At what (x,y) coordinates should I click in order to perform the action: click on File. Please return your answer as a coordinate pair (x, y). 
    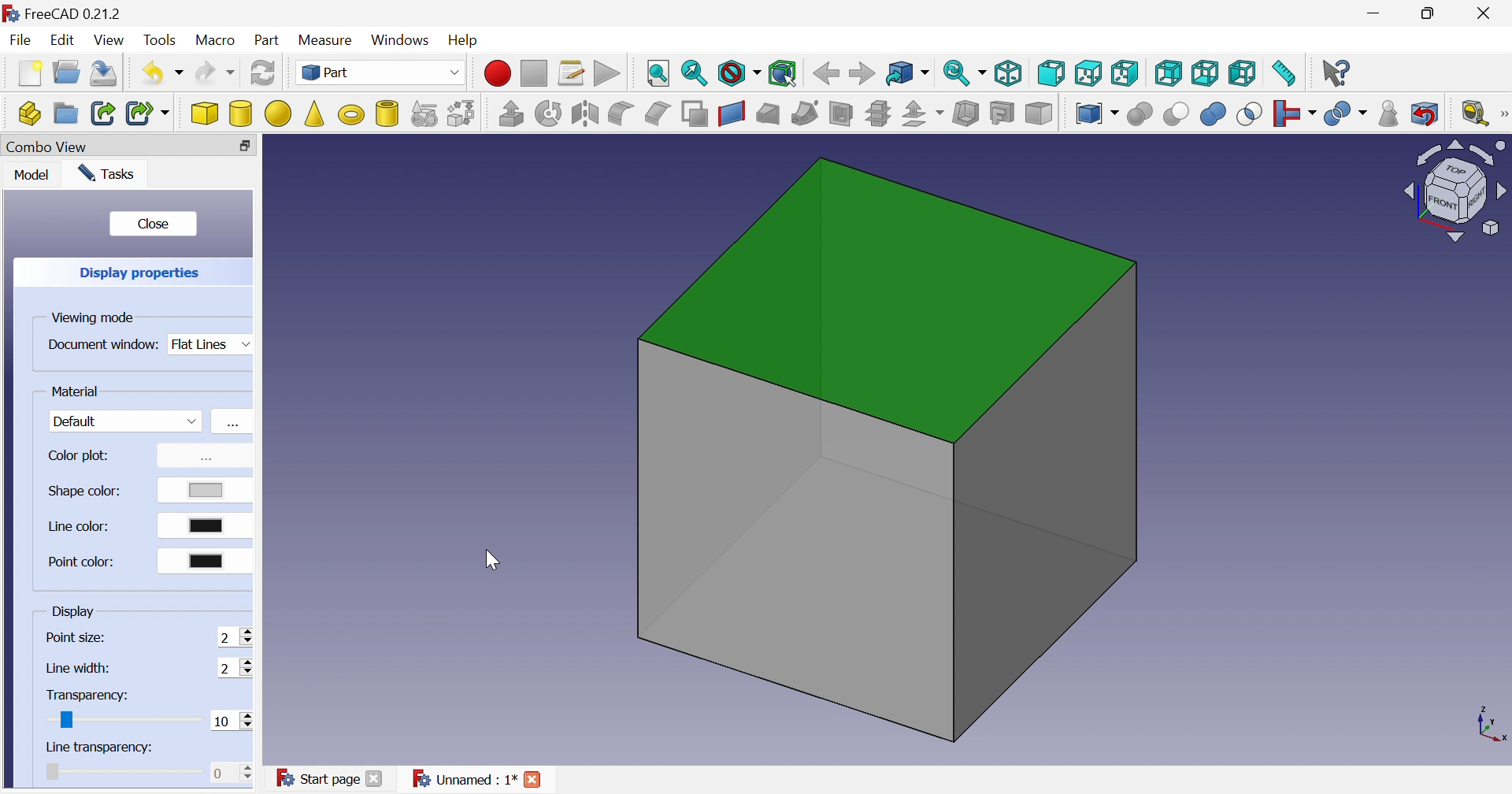
    Looking at the image, I should click on (18, 39).